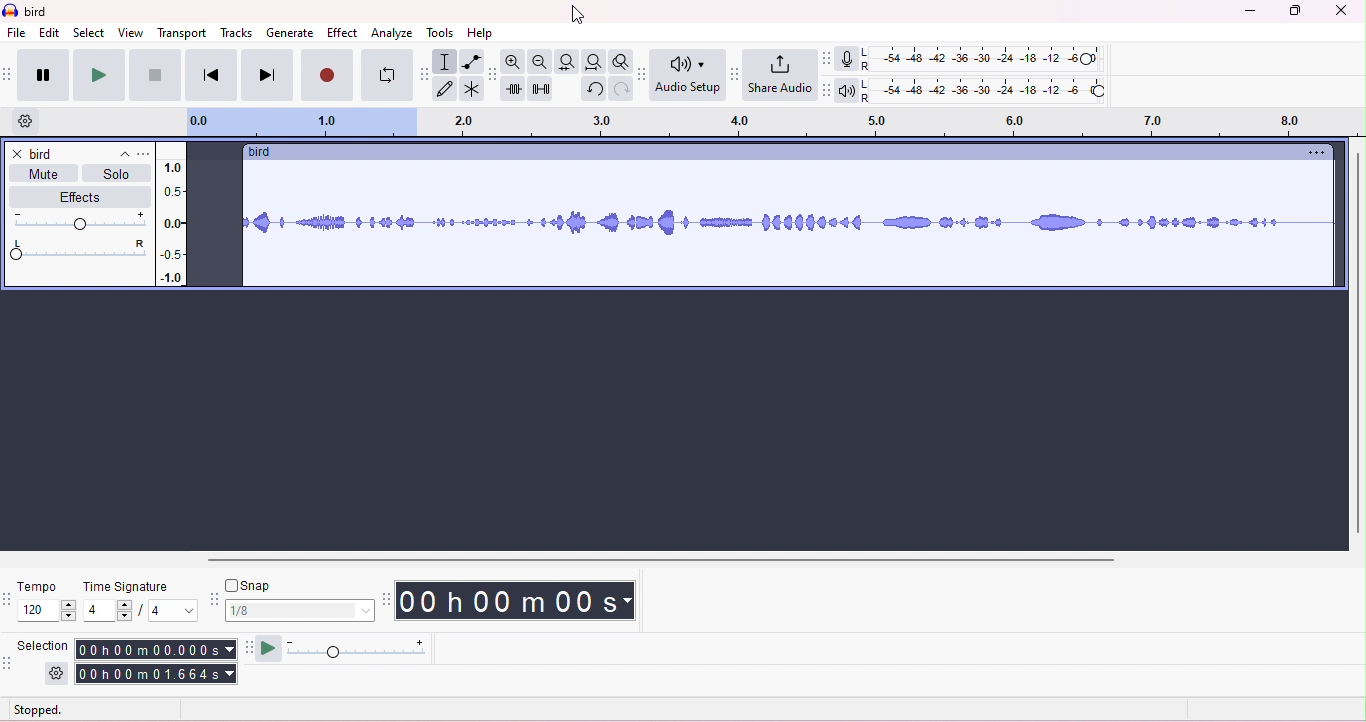 The height and width of the screenshot is (722, 1366). I want to click on share audio , so click(779, 75).